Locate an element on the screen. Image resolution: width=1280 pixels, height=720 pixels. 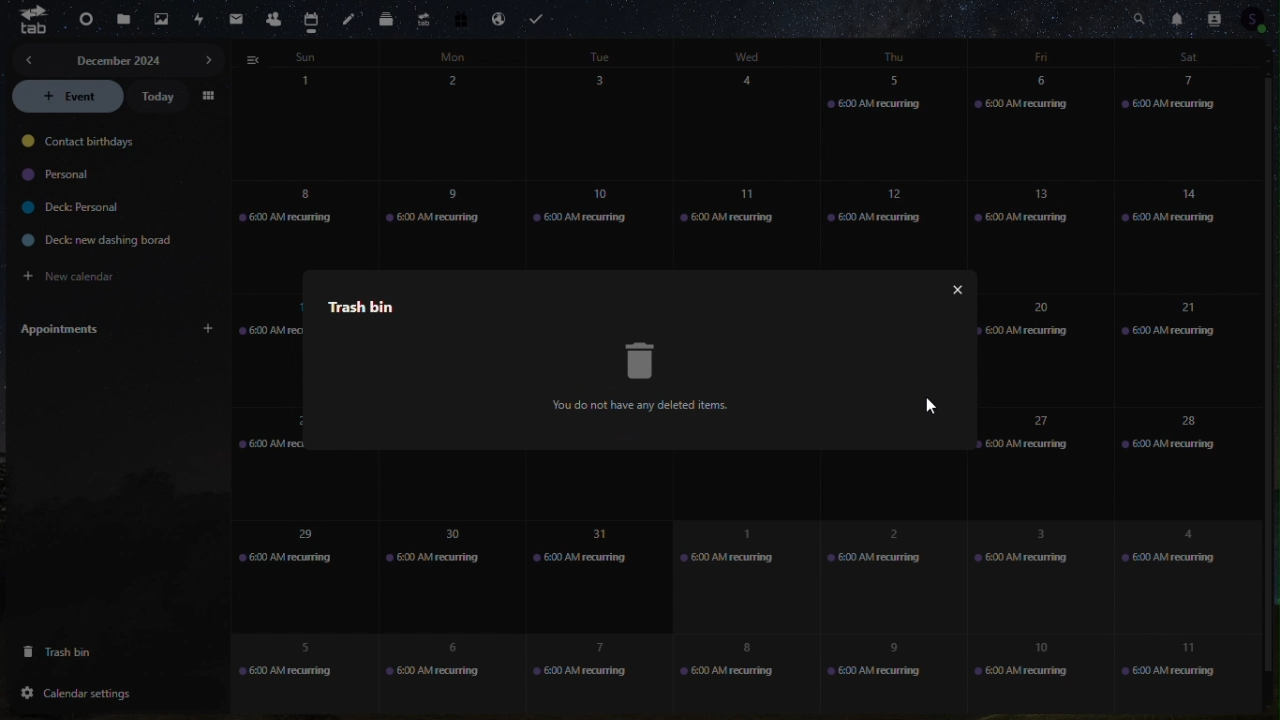
december 2024 is located at coordinates (119, 58).